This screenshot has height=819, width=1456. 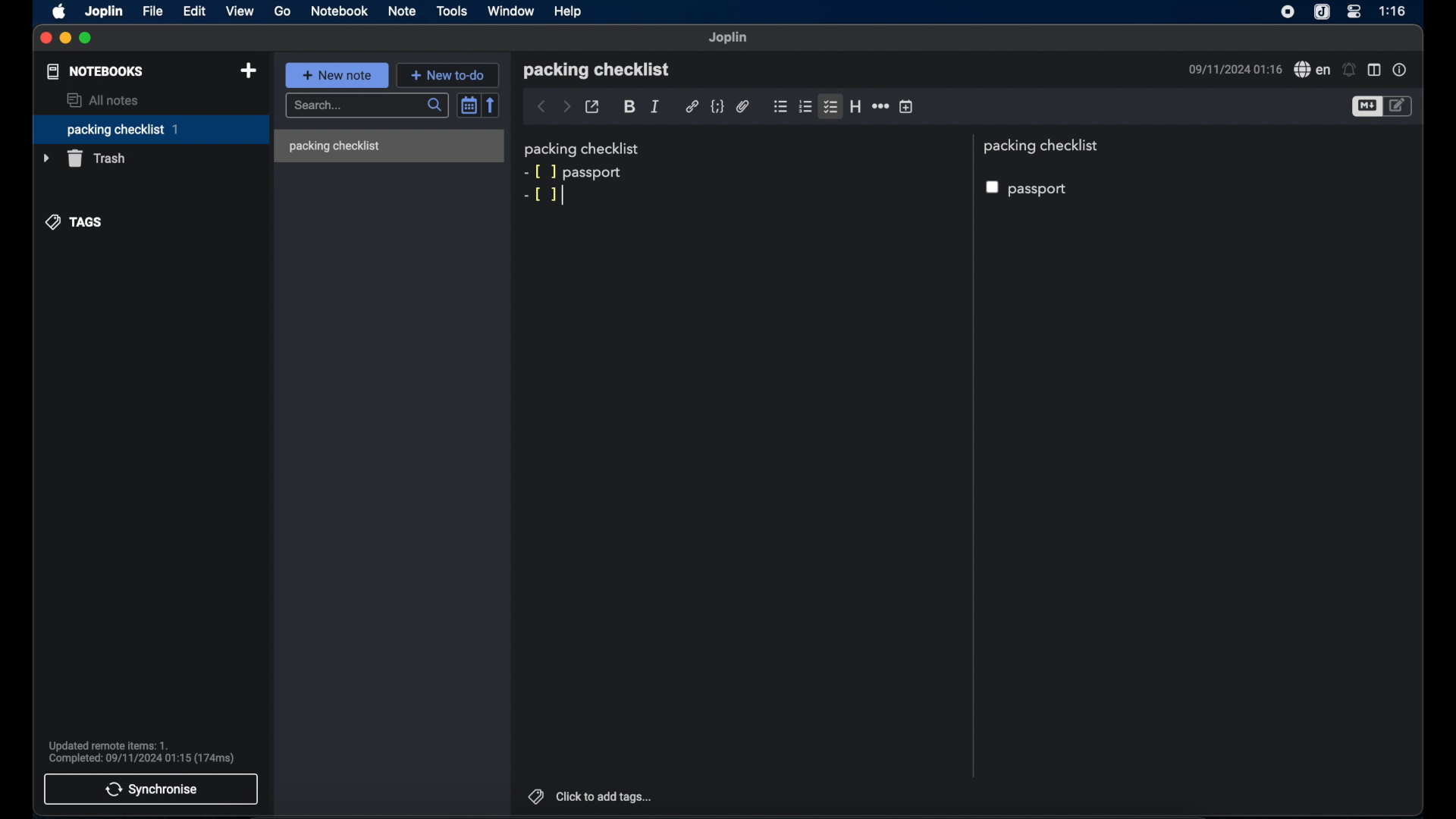 What do you see at coordinates (1322, 12) in the screenshot?
I see `joplin icone` at bounding box center [1322, 12].